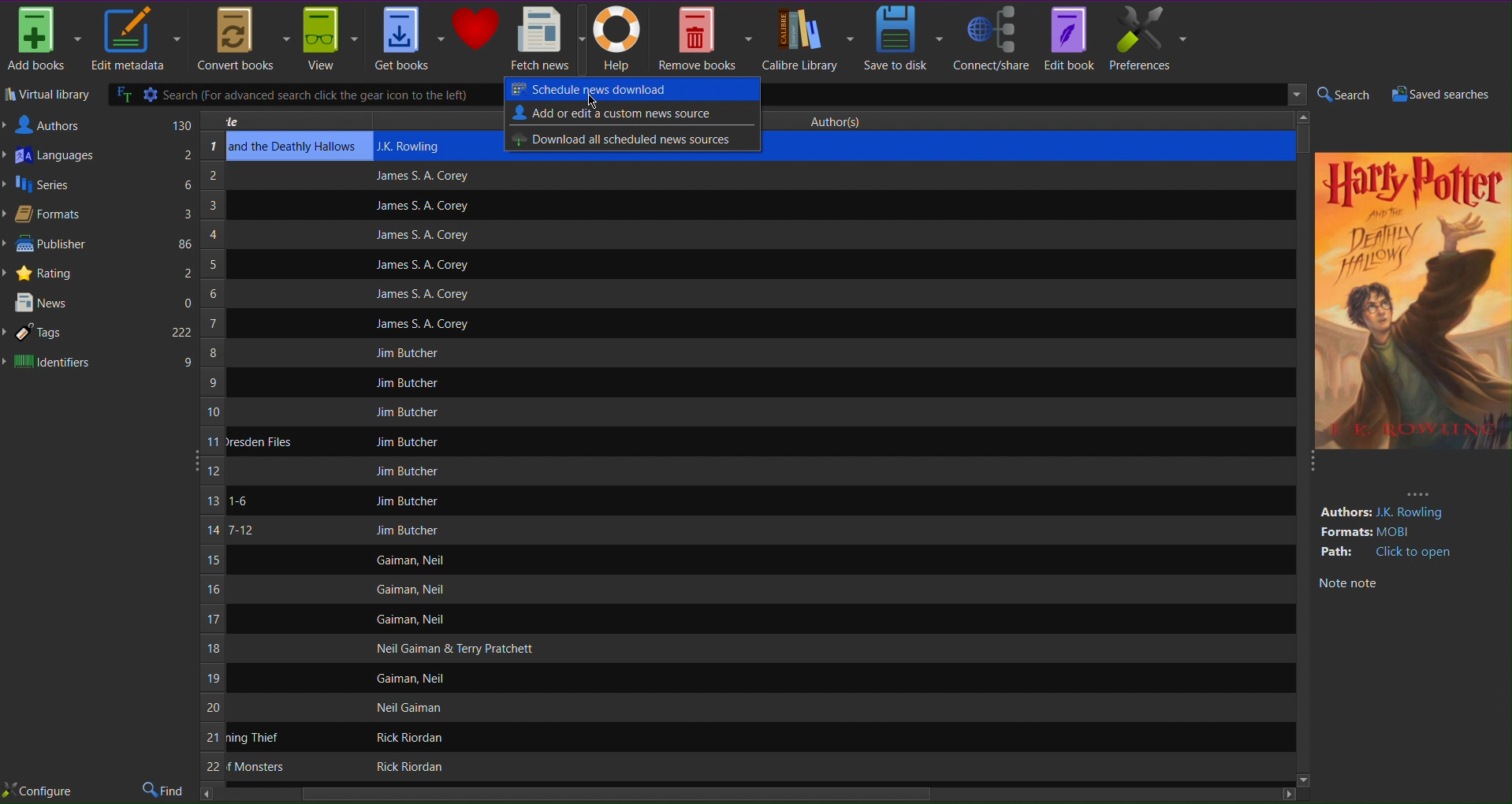 The height and width of the screenshot is (804, 1512). What do you see at coordinates (403, 384) in the screenshot?
I see `Jim Butcher` at bounding box center [403, 384].